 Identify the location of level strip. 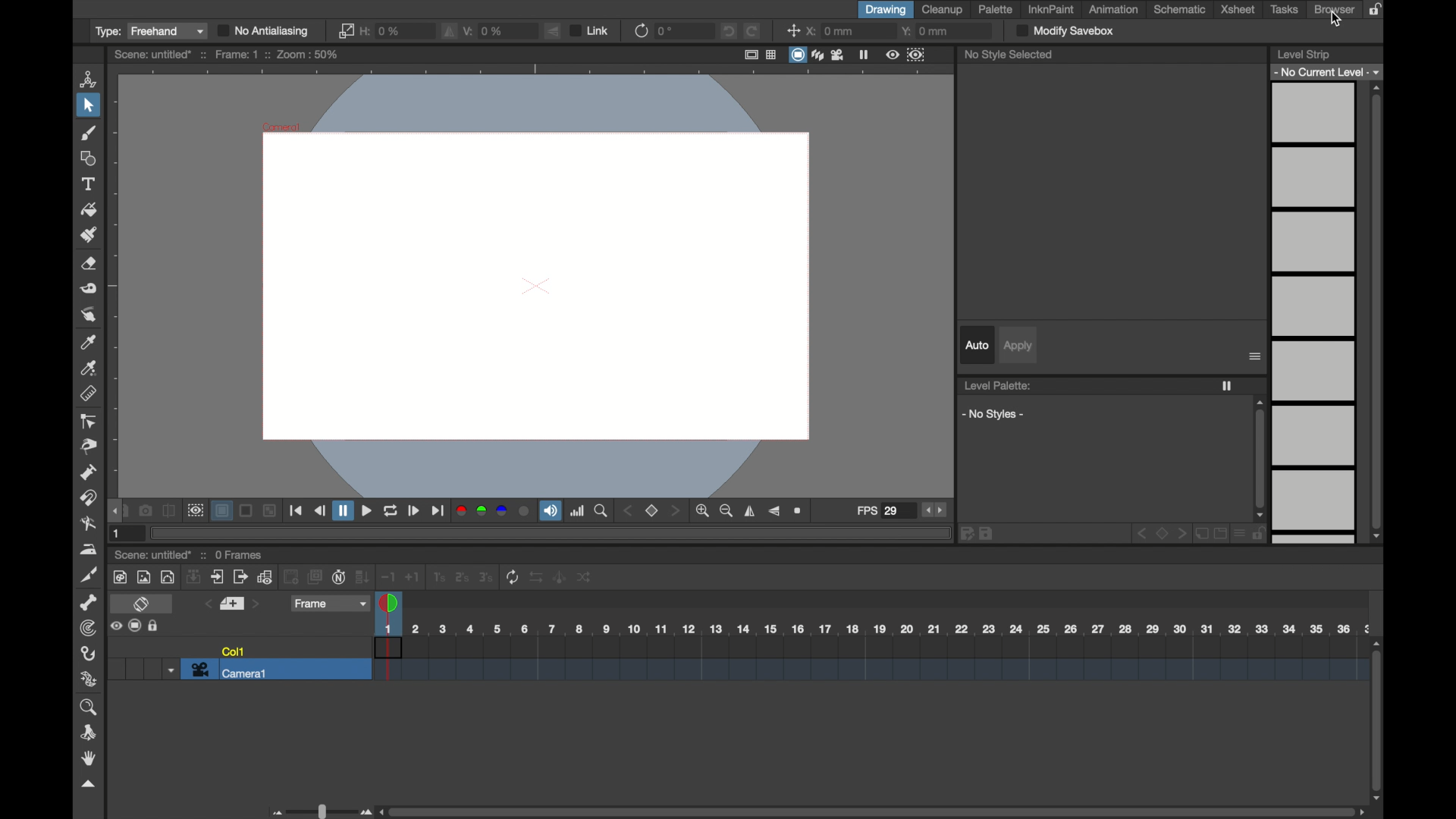
(1304, 53).